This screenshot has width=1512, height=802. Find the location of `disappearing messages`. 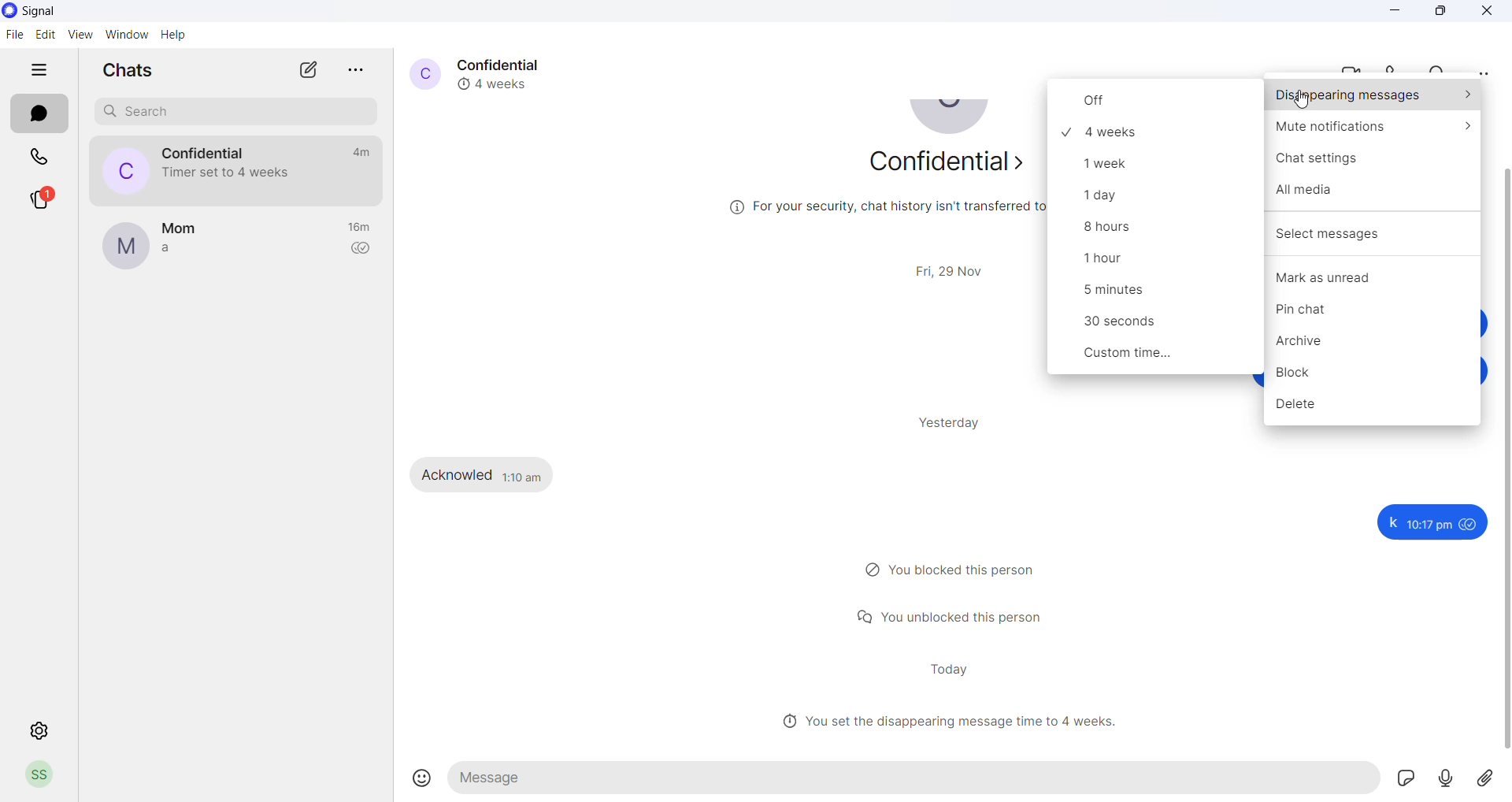

disappearing messages is located at coordinates (1374, 96).